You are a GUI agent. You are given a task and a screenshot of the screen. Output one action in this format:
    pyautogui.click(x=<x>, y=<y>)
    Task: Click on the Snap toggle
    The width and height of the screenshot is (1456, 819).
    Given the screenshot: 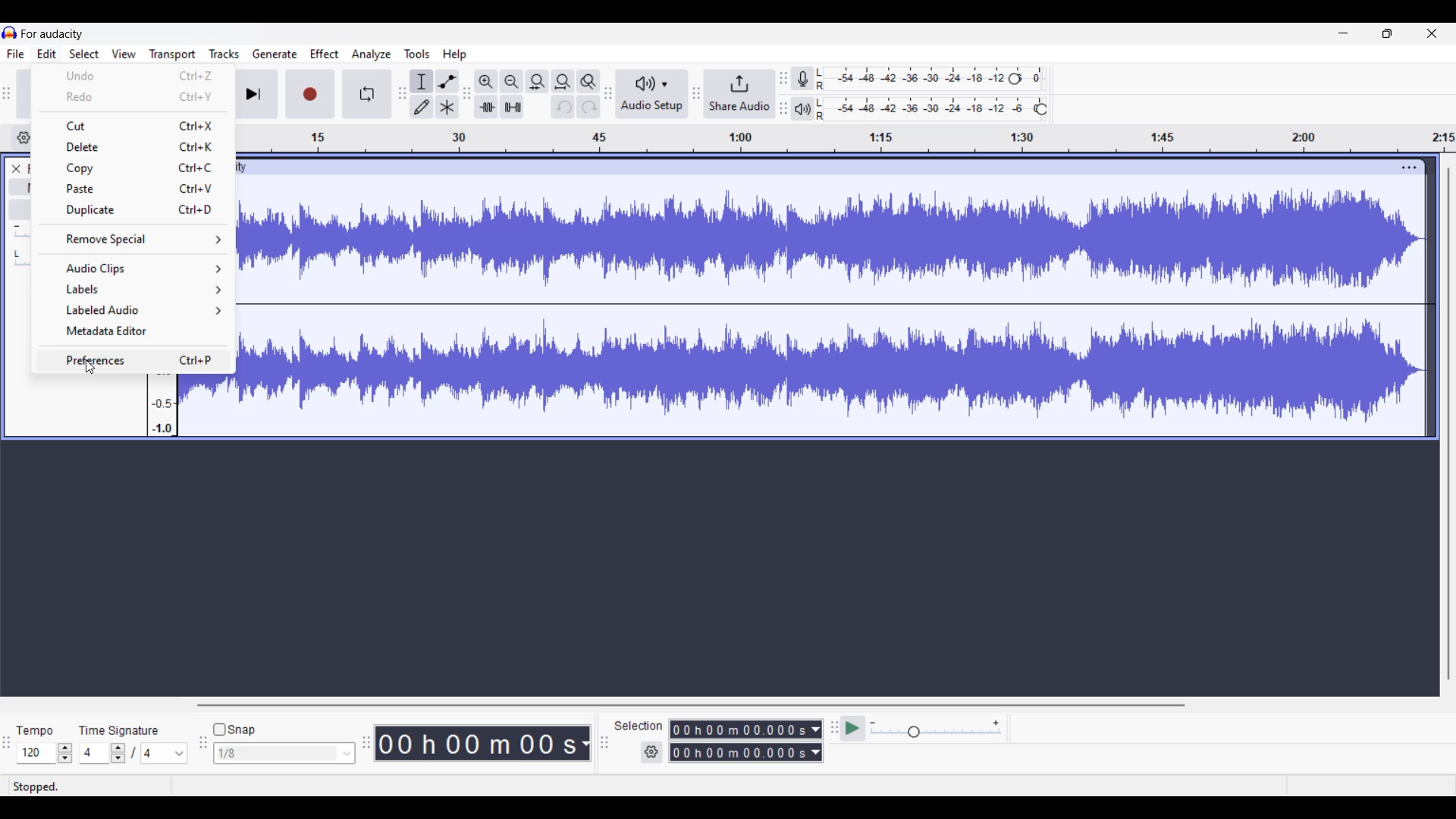 What is the action you would take?
    pyautogui.click(x=237, y=730)
    